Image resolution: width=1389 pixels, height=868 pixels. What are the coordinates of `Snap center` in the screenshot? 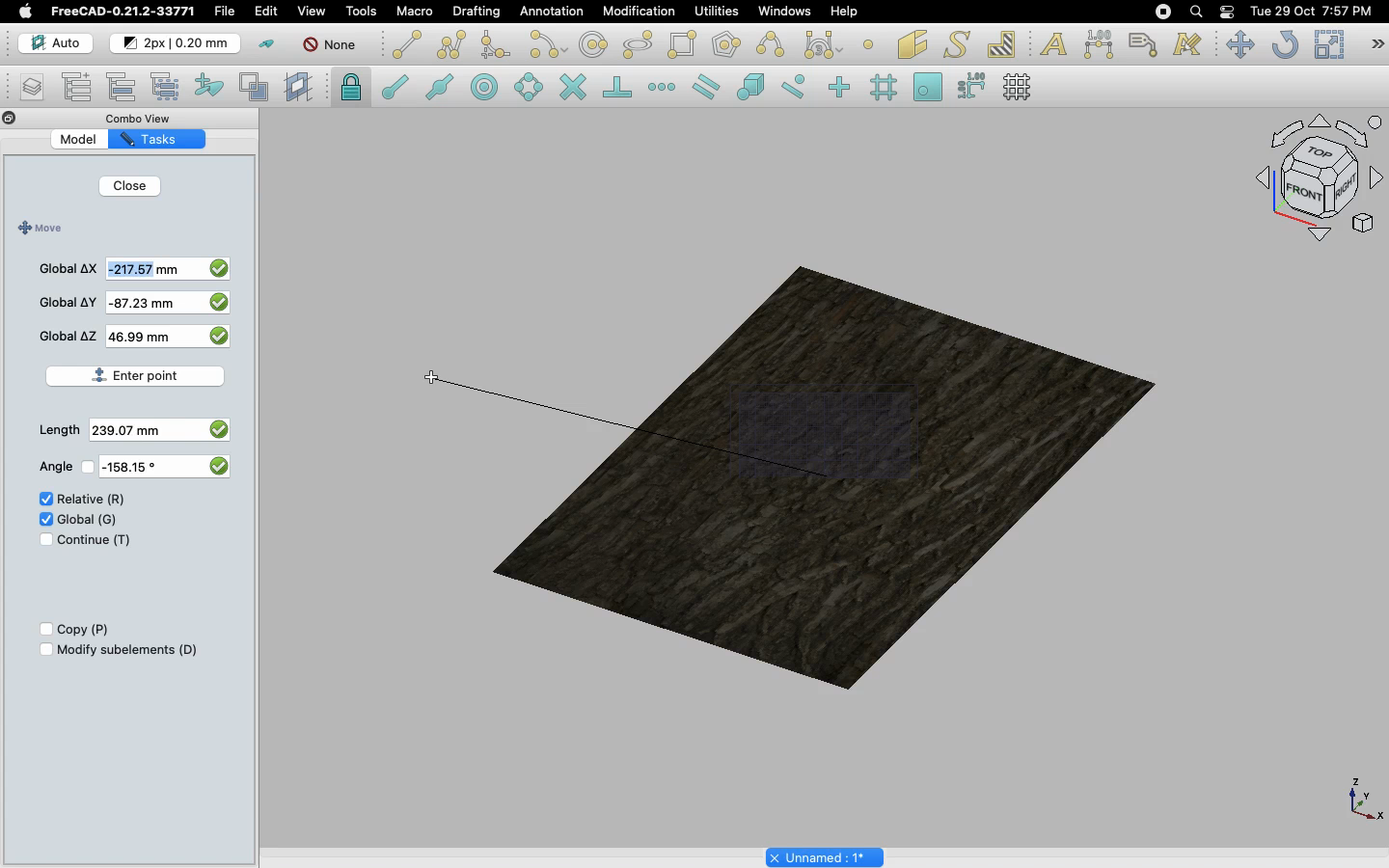 It's located at (490, 86).